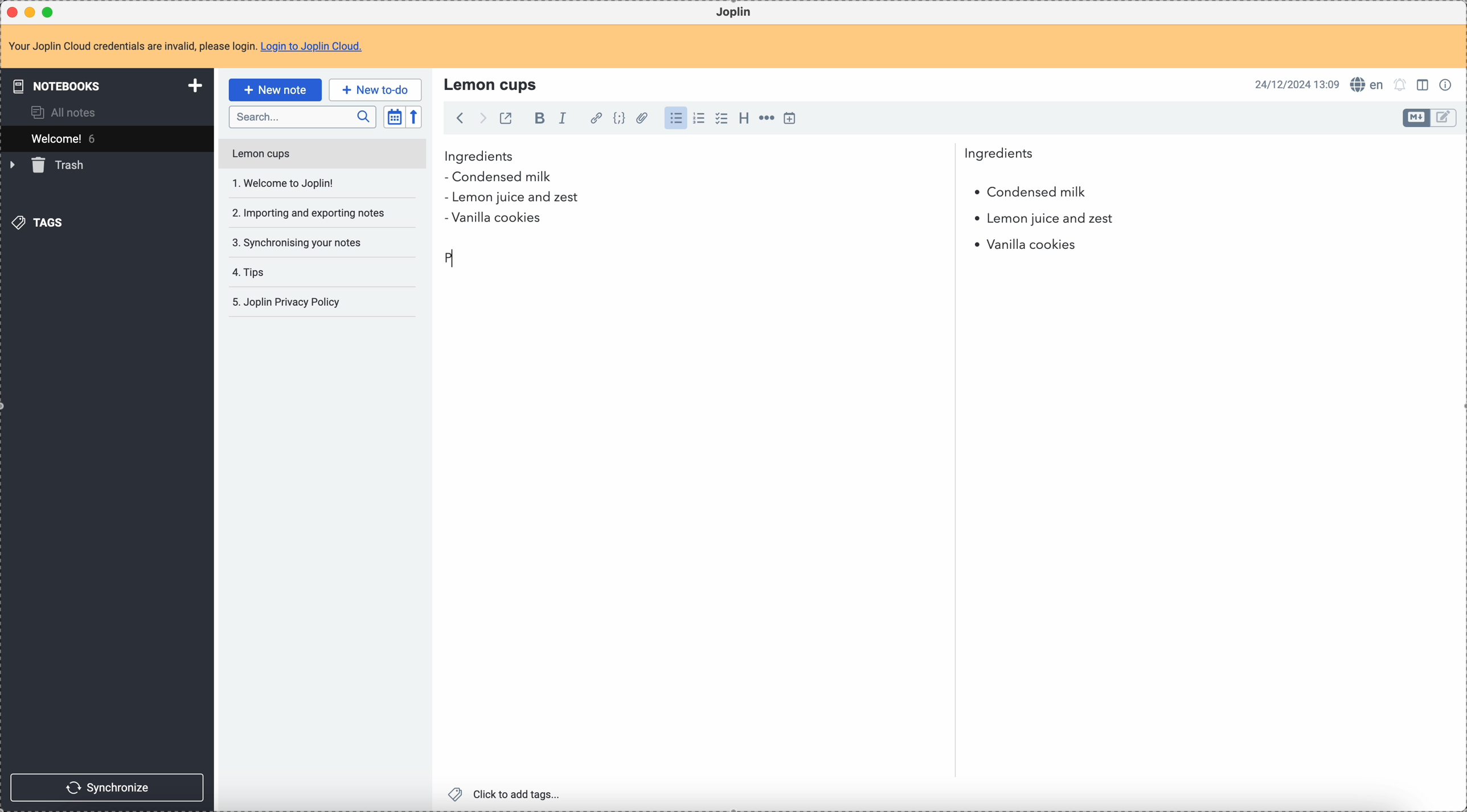  I want to click on note, so click(192, 47).